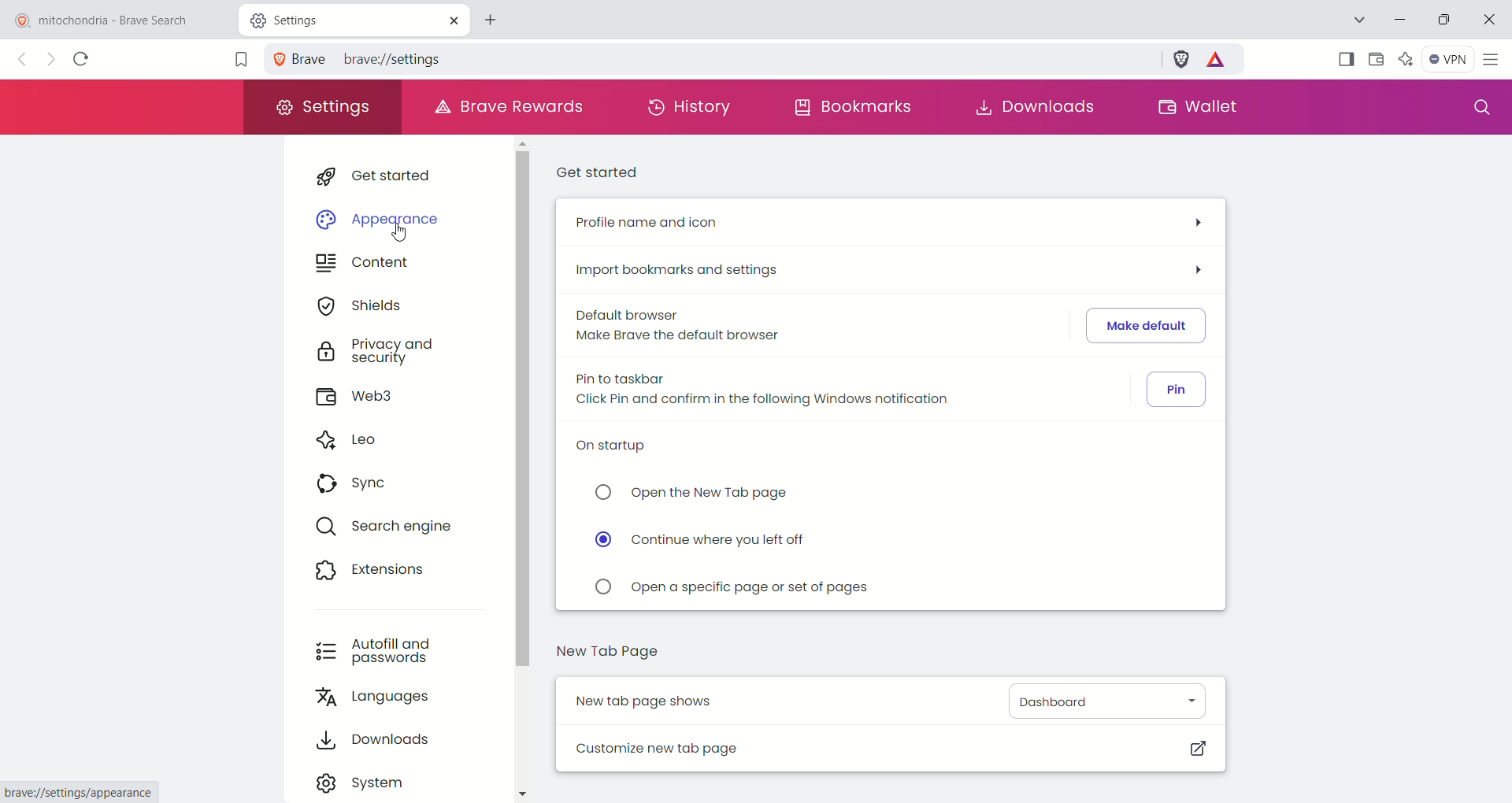  I want to click on bookmarks, so click(854, 111).